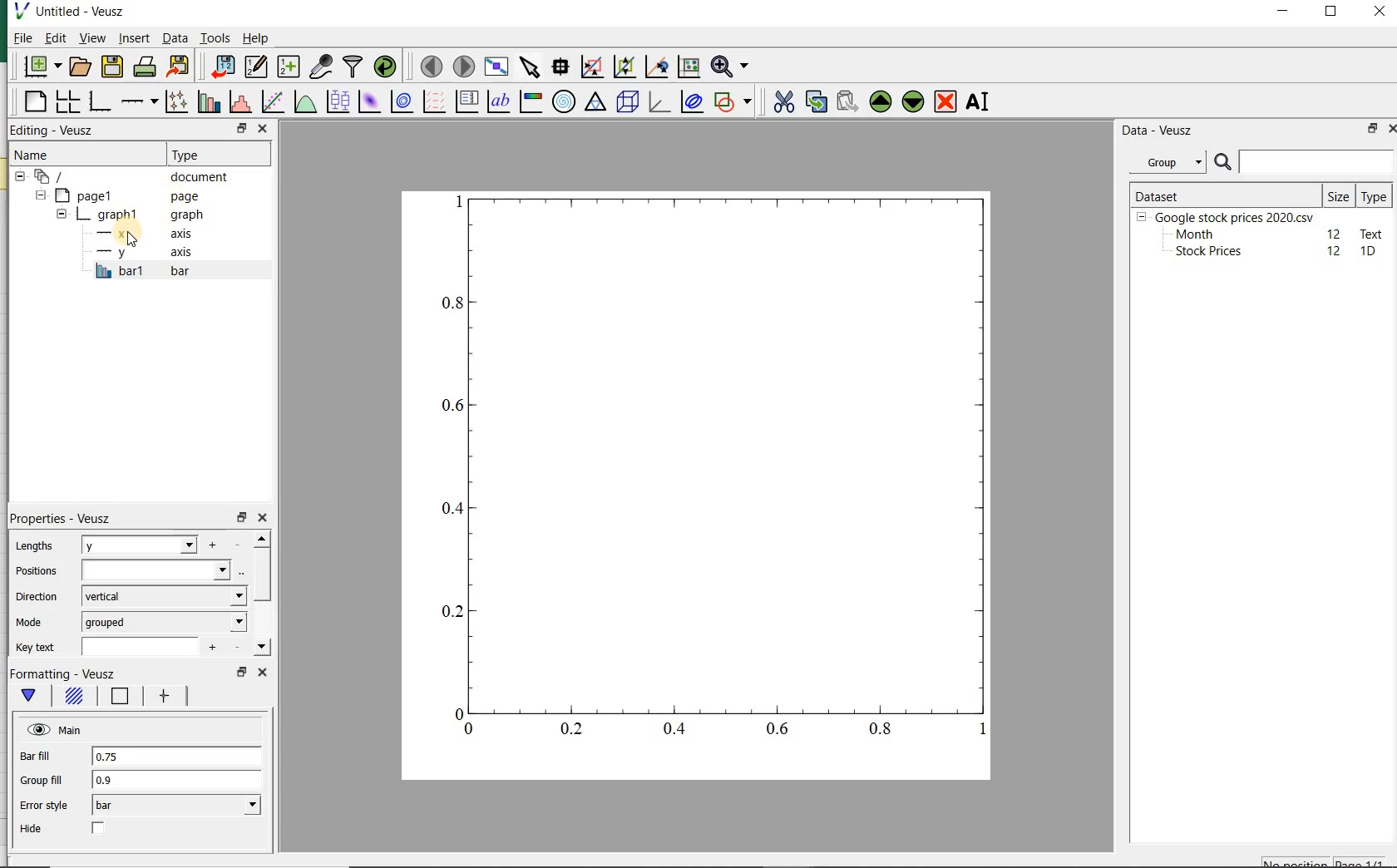 Image resolution: width=1397 pixels, height=868 pixels. I want to click on bar, so click(175, 806).